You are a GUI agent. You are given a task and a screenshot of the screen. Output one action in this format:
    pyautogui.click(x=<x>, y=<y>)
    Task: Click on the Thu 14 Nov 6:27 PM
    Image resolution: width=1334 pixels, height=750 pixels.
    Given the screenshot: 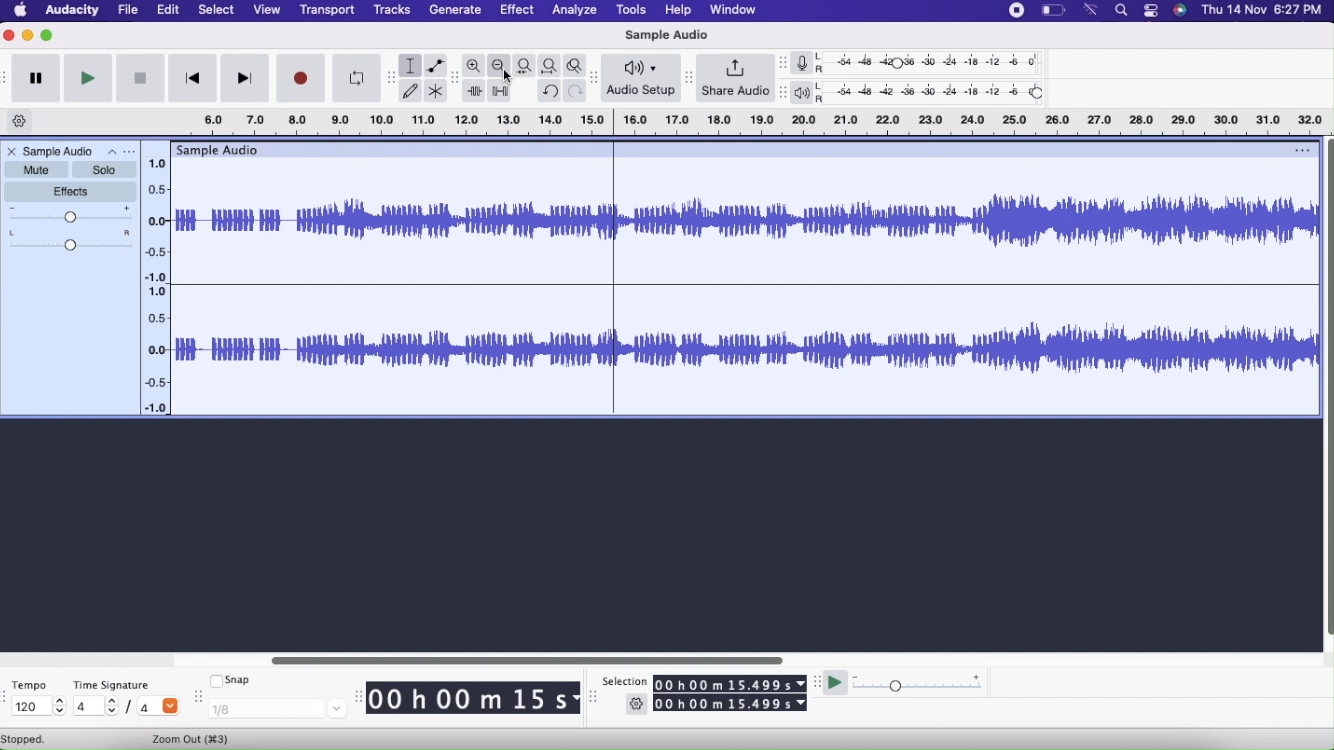 What is the action you would take?
    pyautogui.click(x=1264, y=12)
    